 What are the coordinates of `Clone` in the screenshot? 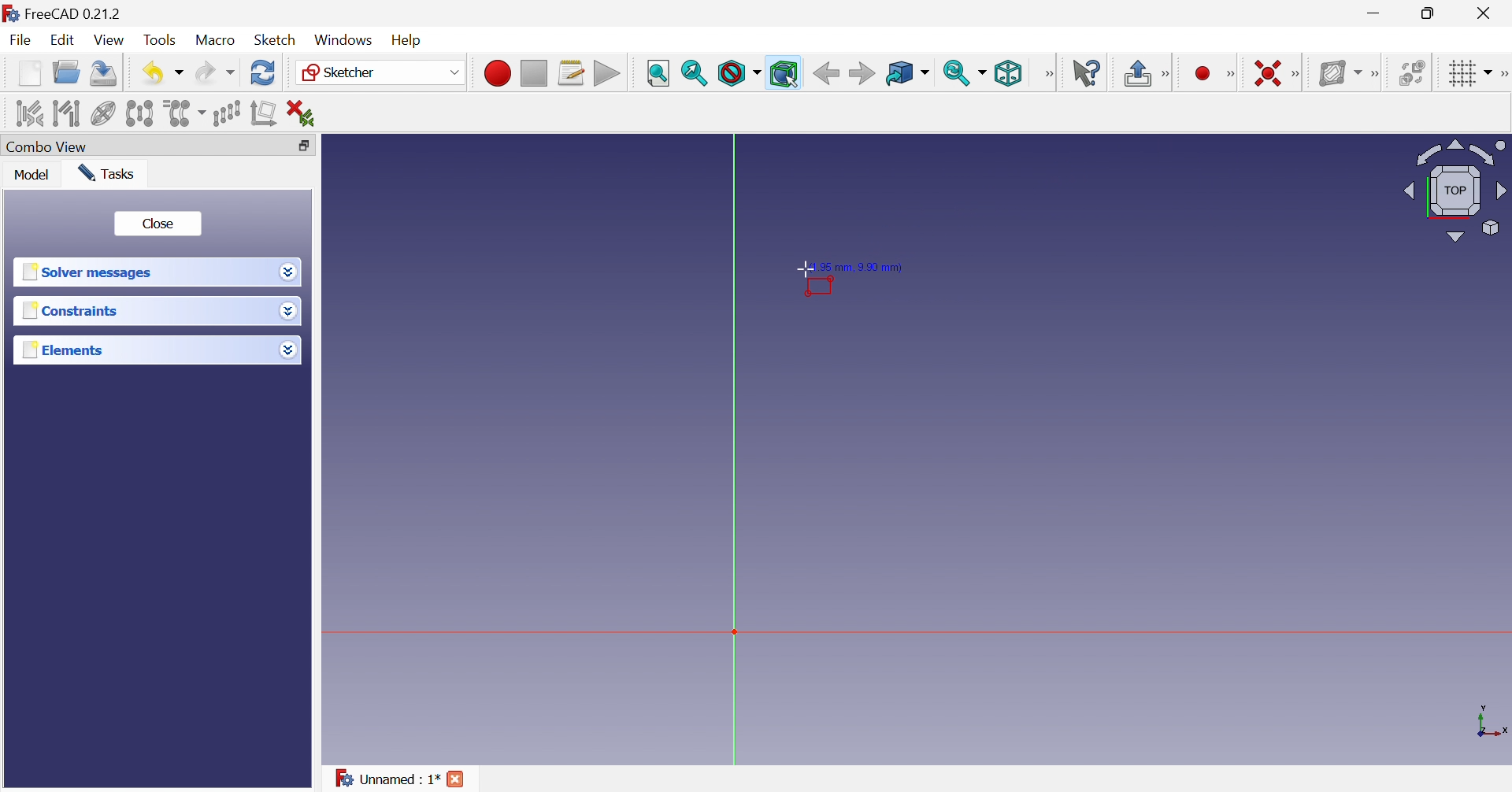 It's located at (183, 114).